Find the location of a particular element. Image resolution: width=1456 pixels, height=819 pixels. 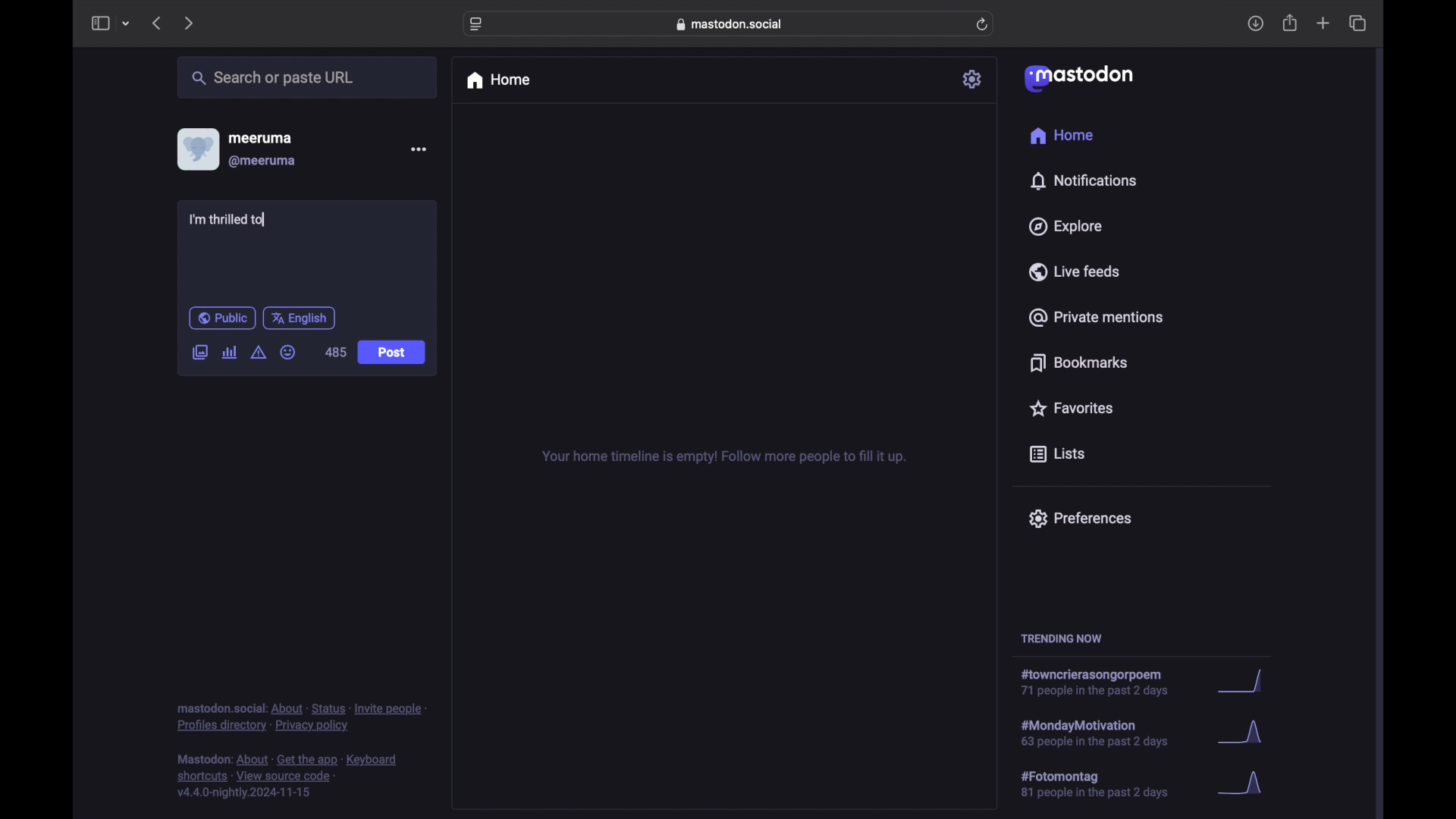

web address is located at coordinates (730, 24).